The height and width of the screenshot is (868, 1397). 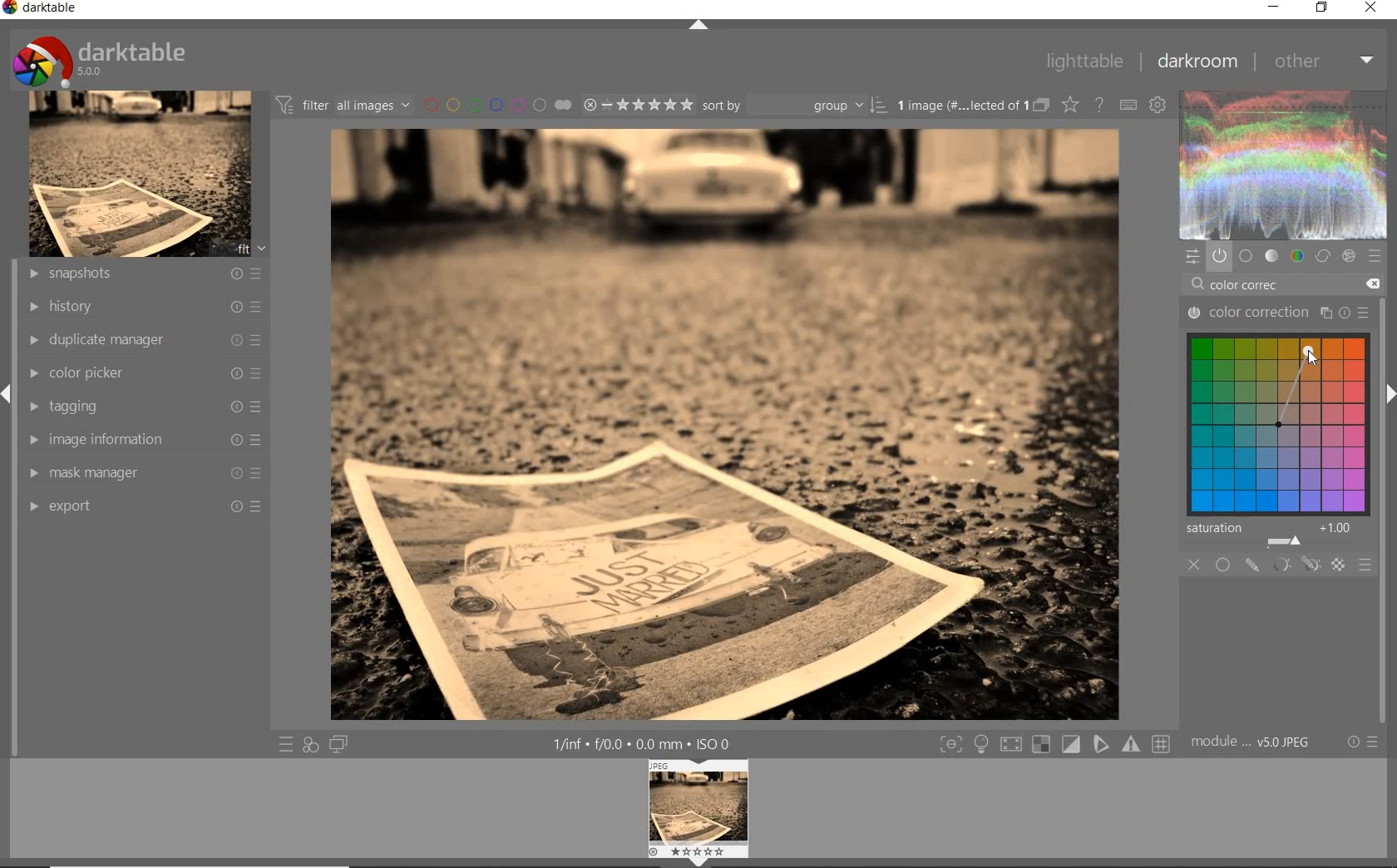 I want to click on snapshots, so click(x=142, y=275).